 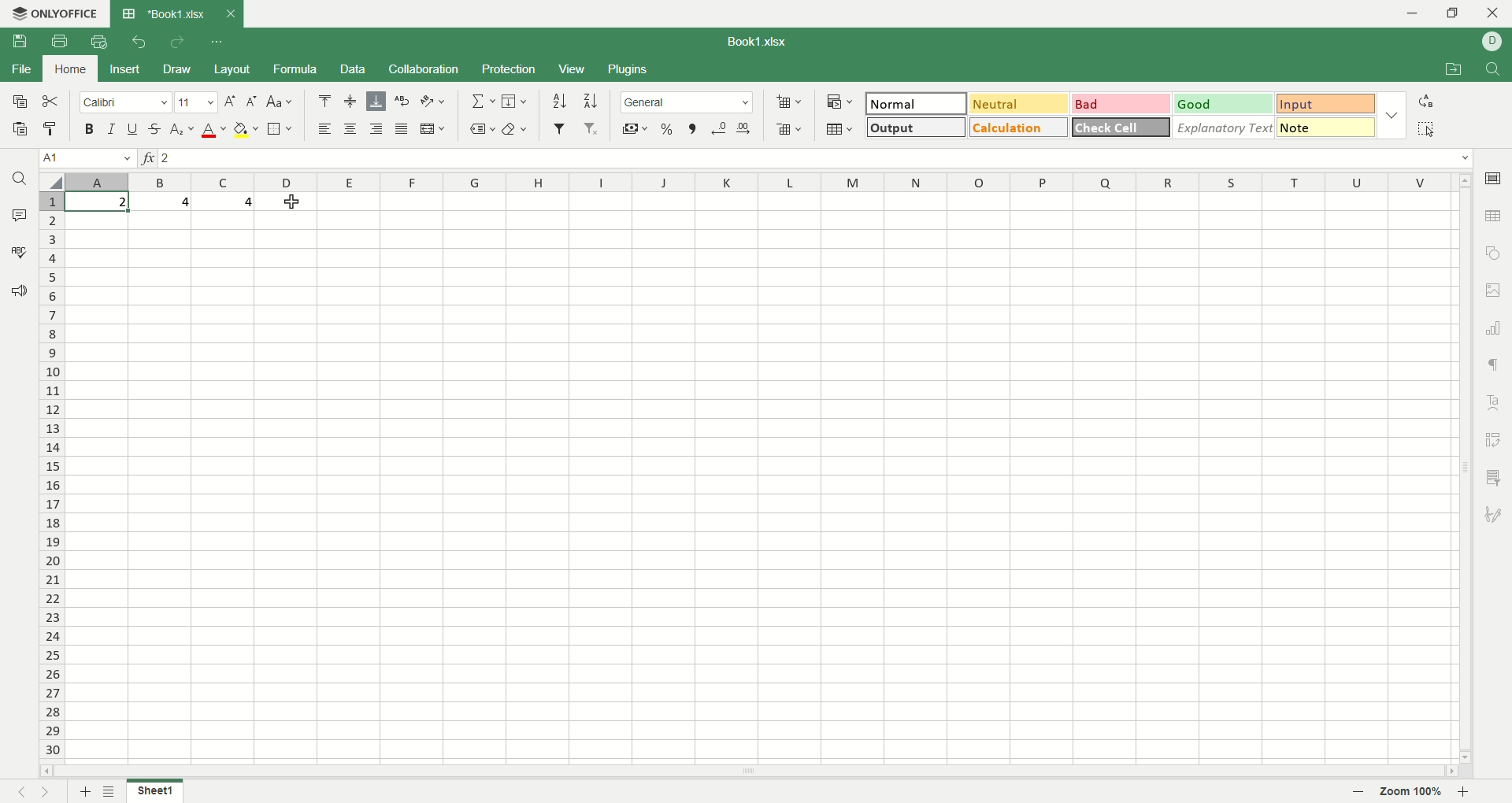 What do you see at coordinates (53, 128) in the screenshot?
I see `copy style` at bounding box center [53, 128].